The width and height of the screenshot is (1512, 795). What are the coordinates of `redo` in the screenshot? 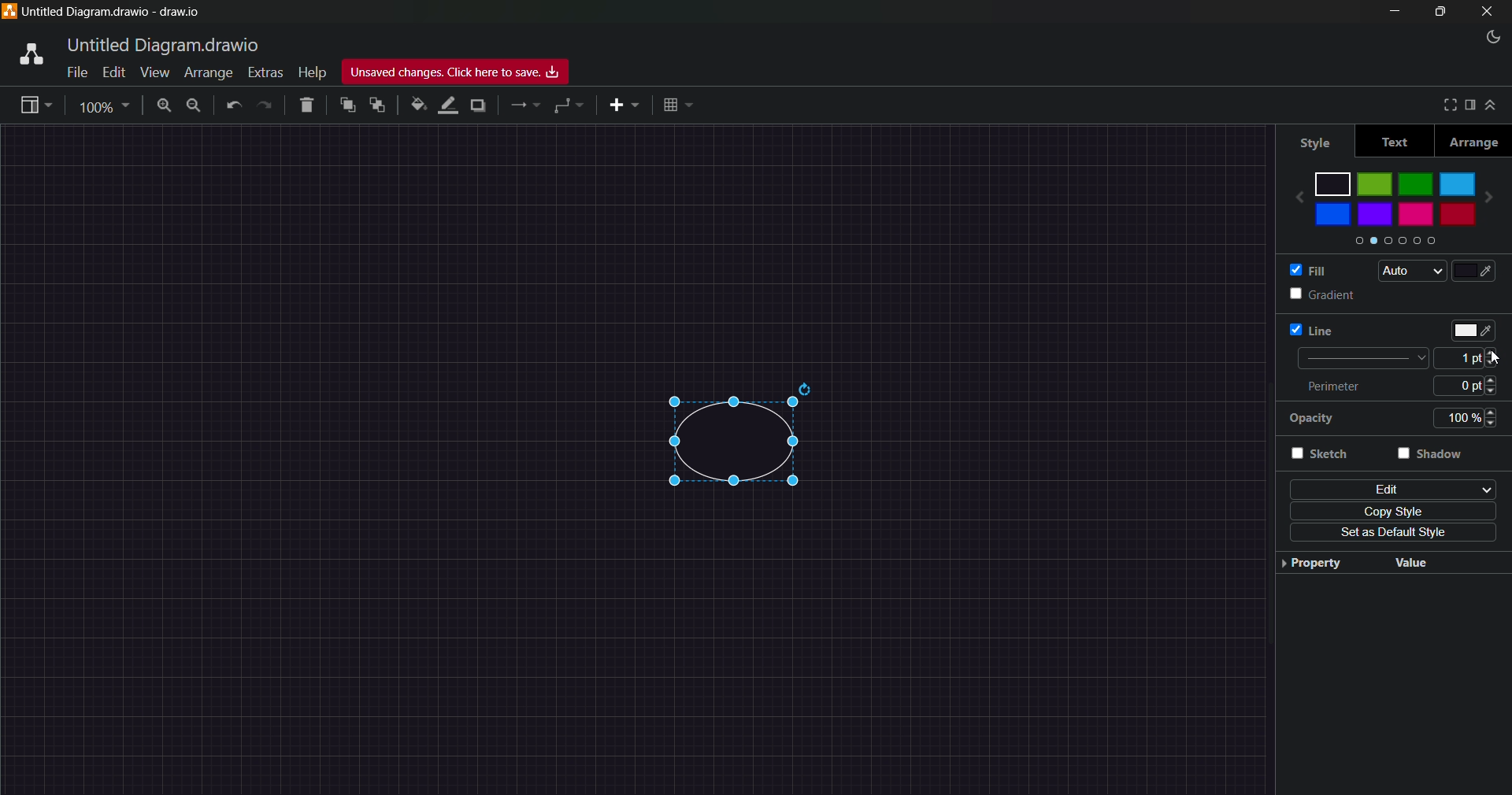 It's located at (265, 108).